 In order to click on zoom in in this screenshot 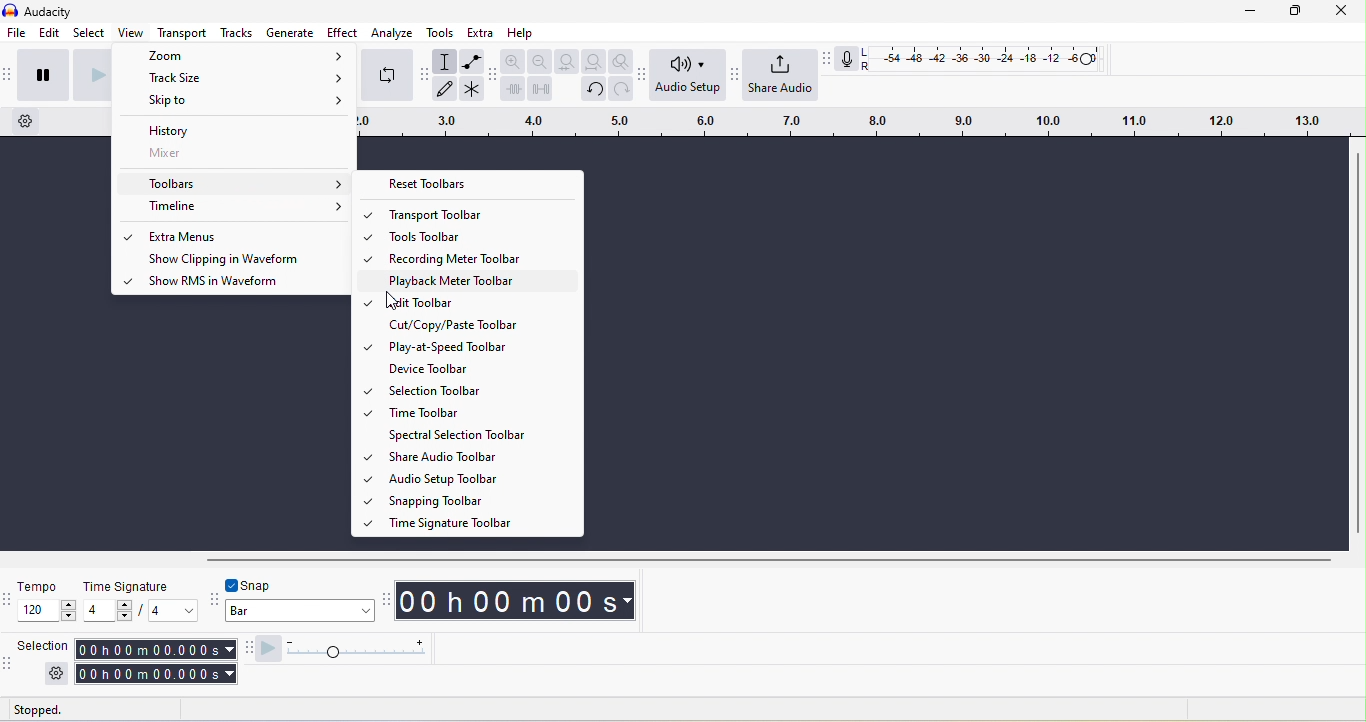, I will do `click(513, 60)`.